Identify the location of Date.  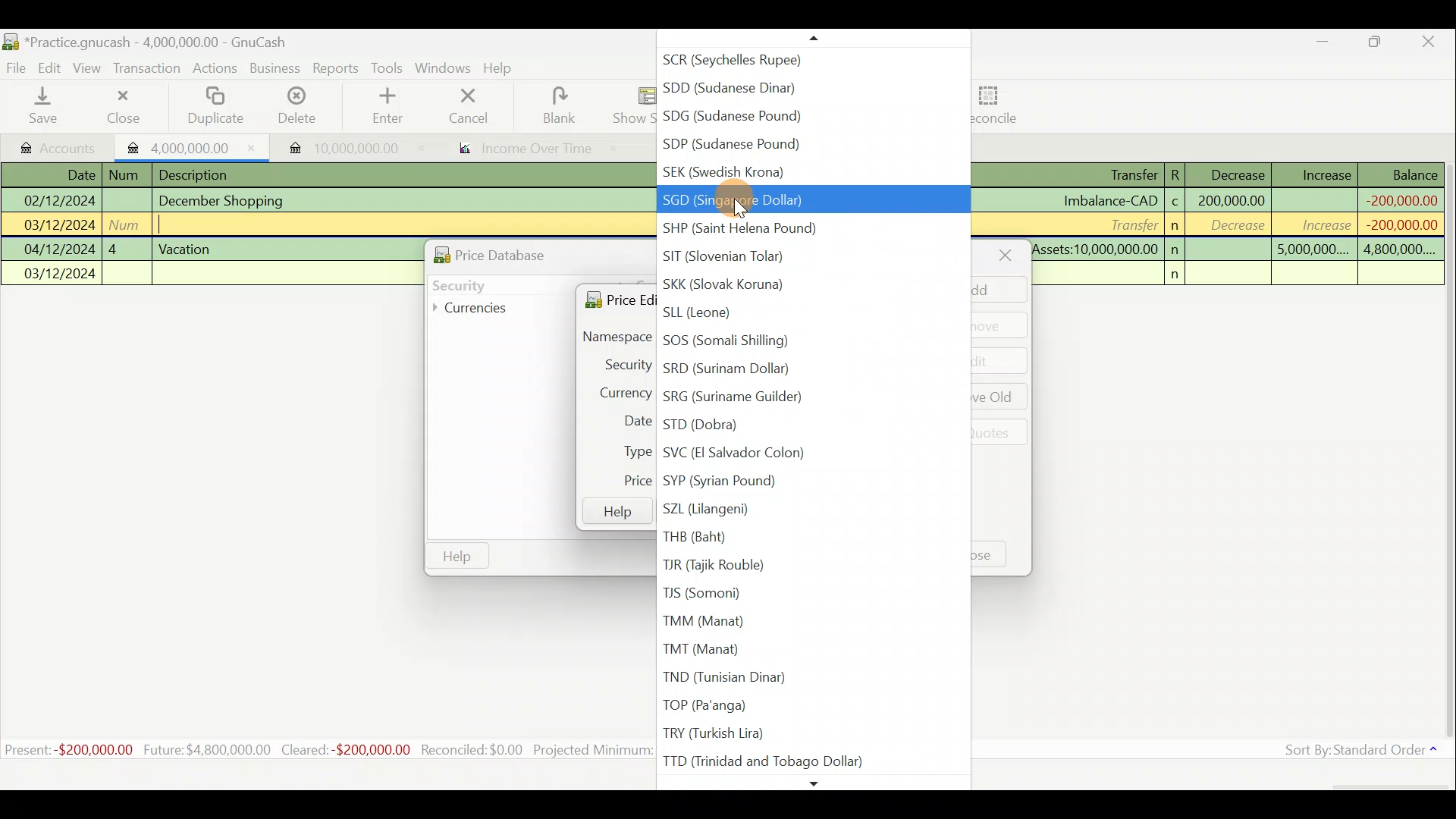
(629, 422).